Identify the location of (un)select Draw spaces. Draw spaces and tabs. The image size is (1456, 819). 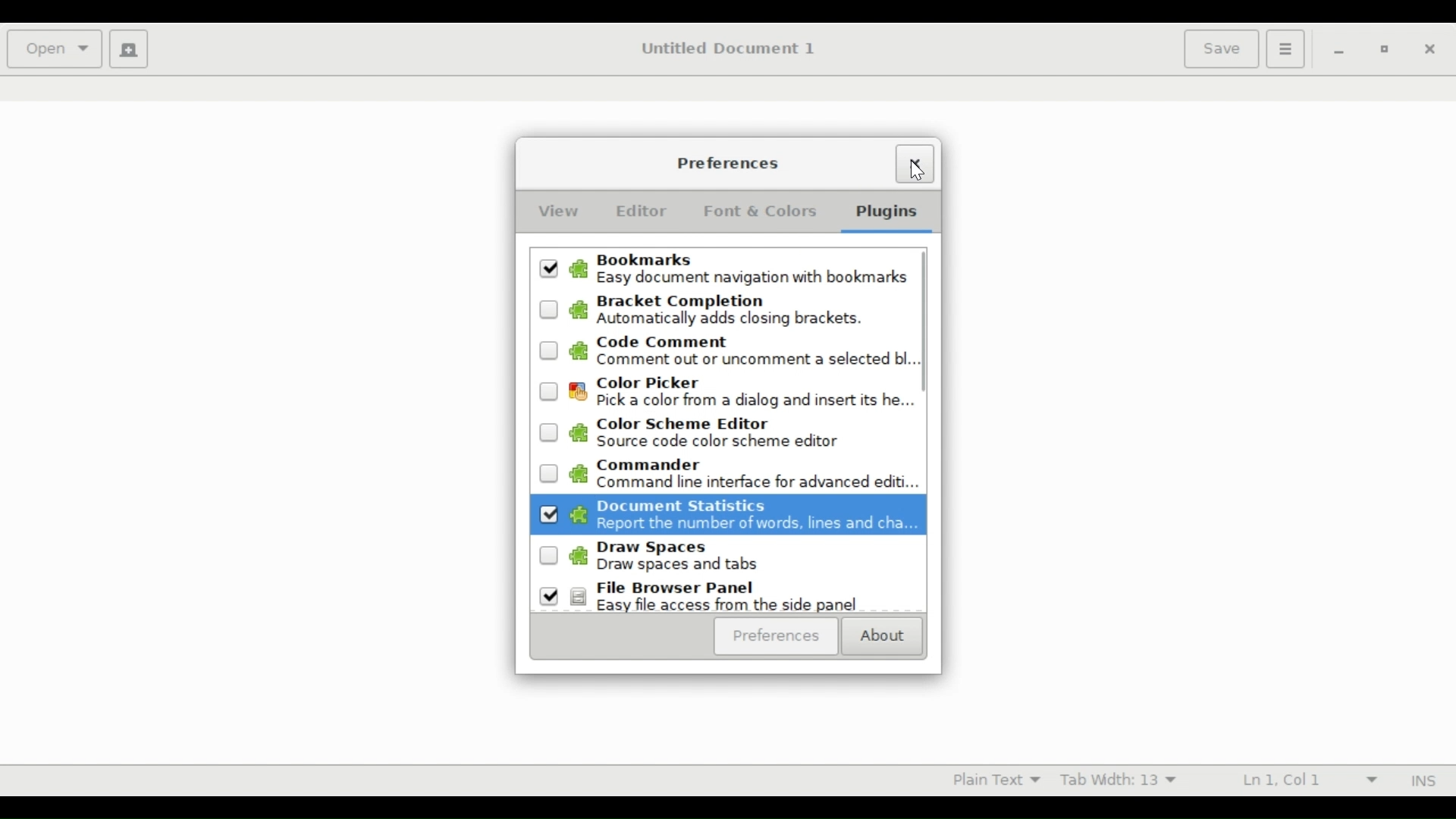
(741, 559).